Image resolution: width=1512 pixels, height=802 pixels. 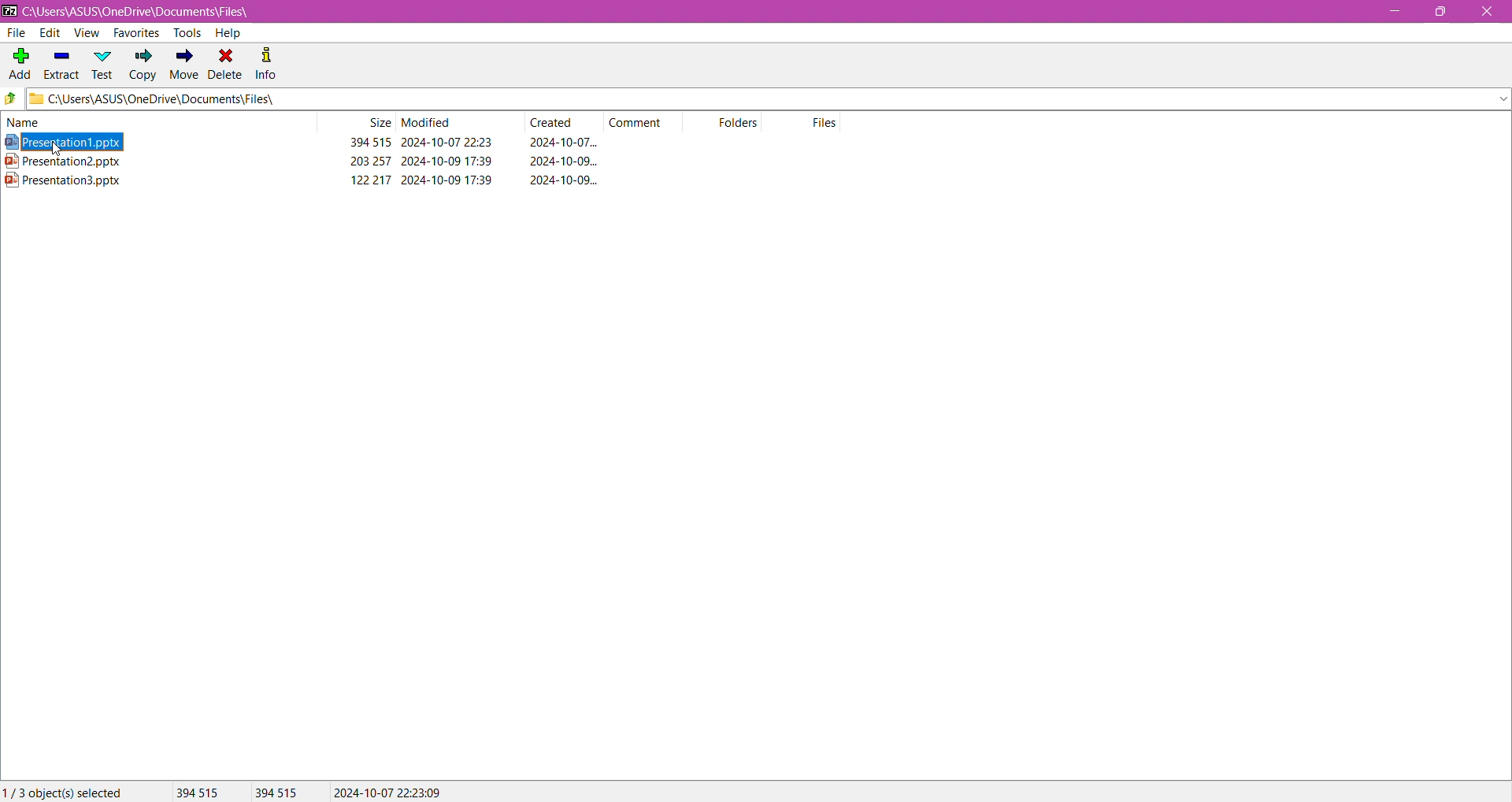 What do you see at coordinates (314, 161) in the screenshot?
I see `Presentation2.pptx 203257 2024-10-09 17:39 2024-10-09...` at bounding box center [314, 161].